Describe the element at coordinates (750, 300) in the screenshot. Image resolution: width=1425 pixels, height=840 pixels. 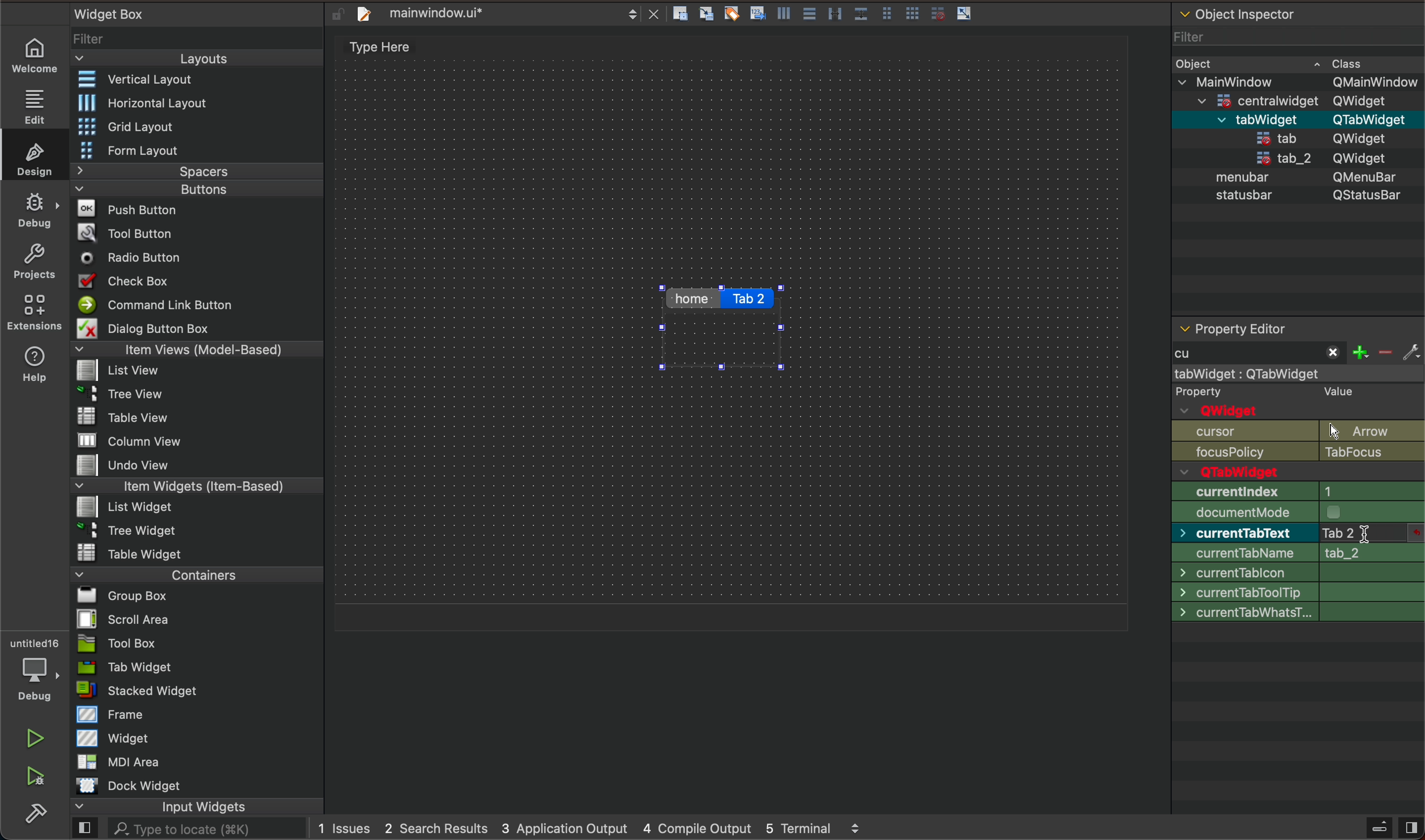
I see `click` at that location.